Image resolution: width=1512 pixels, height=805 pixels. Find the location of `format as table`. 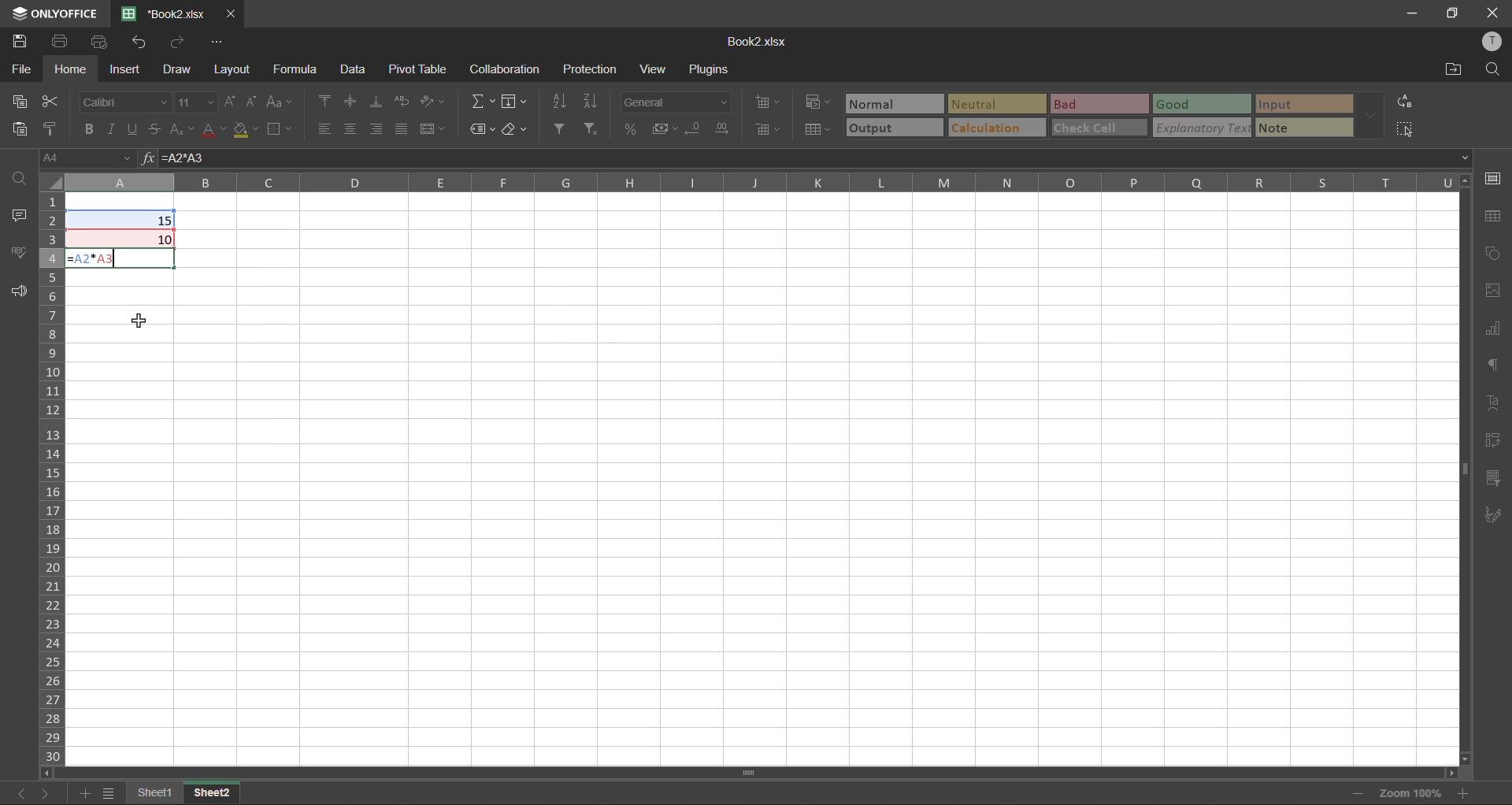

format as table is located at coordinates (818, 130).